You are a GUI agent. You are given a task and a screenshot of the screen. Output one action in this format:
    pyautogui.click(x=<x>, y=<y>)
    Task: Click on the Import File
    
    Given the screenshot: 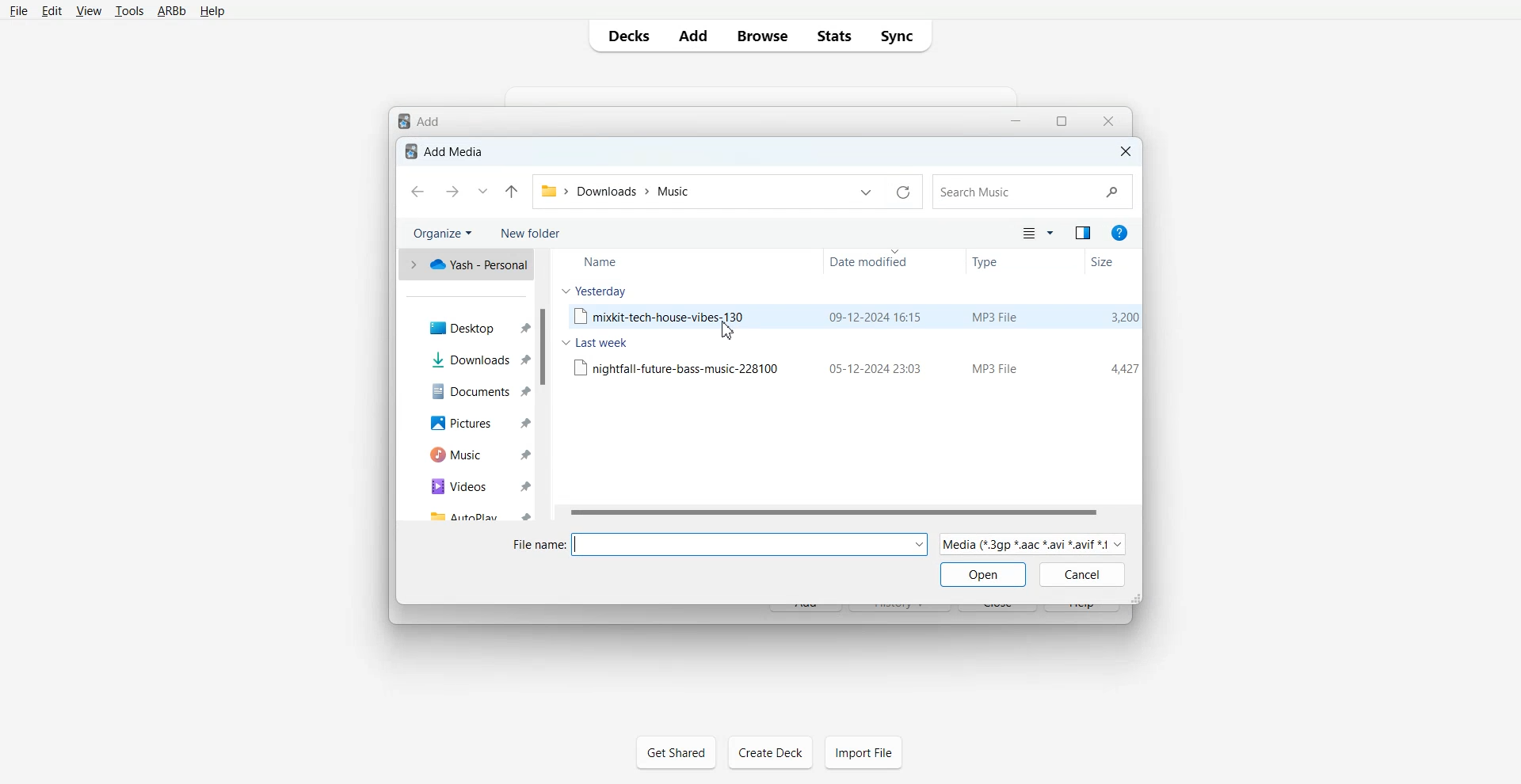 What is the action you would take?
    pyautogui.click(x=863, y=752)
    